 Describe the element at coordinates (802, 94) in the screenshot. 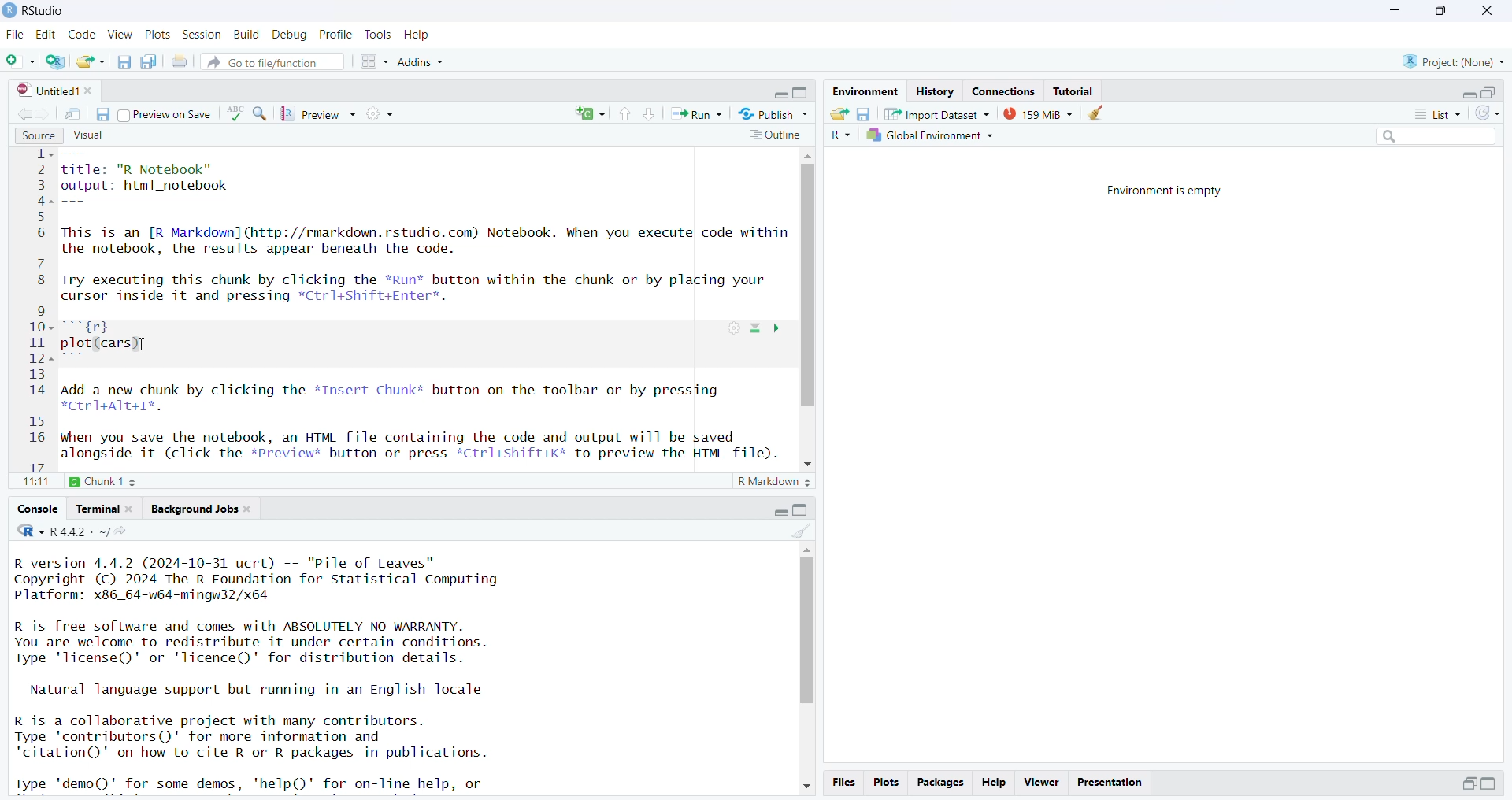

I see `collapse` at that location.